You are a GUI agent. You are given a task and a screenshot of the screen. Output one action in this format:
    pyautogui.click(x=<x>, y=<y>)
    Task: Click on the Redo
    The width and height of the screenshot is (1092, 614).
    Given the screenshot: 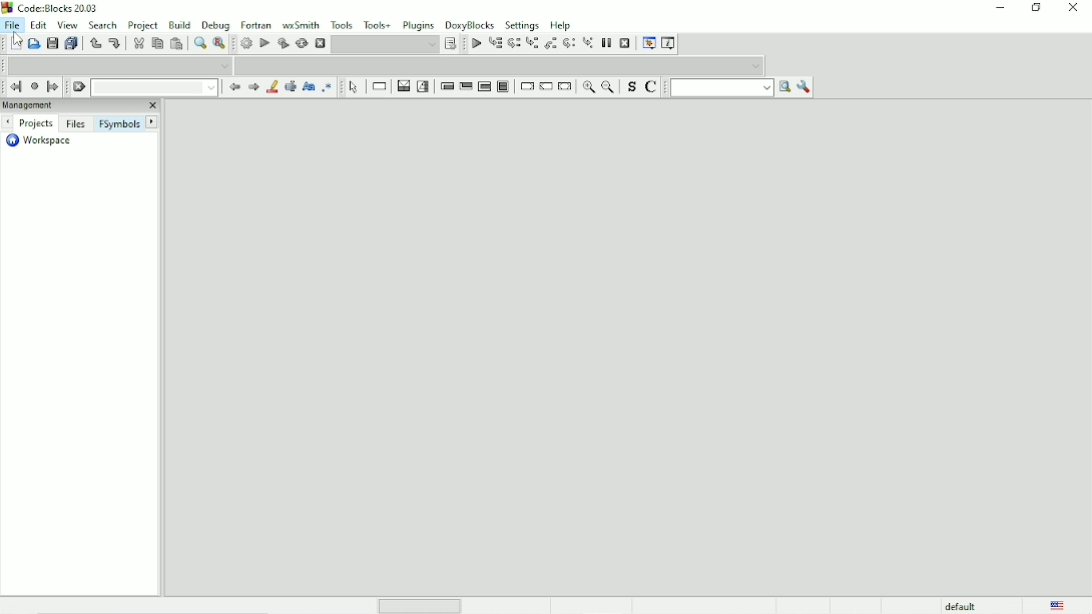 What is the action you would take?
    pyautogui.click(x=114, y=44)
    